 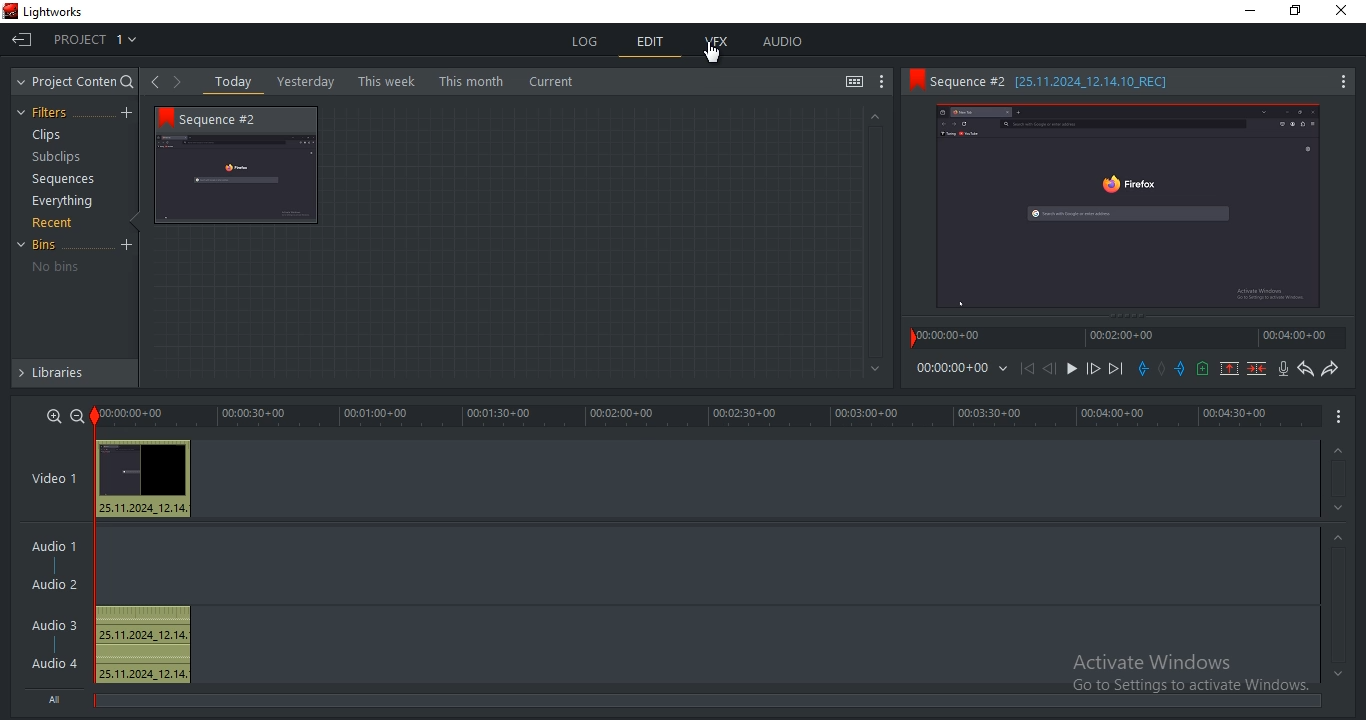 What do you see at coordinates (1254, 12) in the screenshot?
I see `minimize` at bounding box center [1254, 12].